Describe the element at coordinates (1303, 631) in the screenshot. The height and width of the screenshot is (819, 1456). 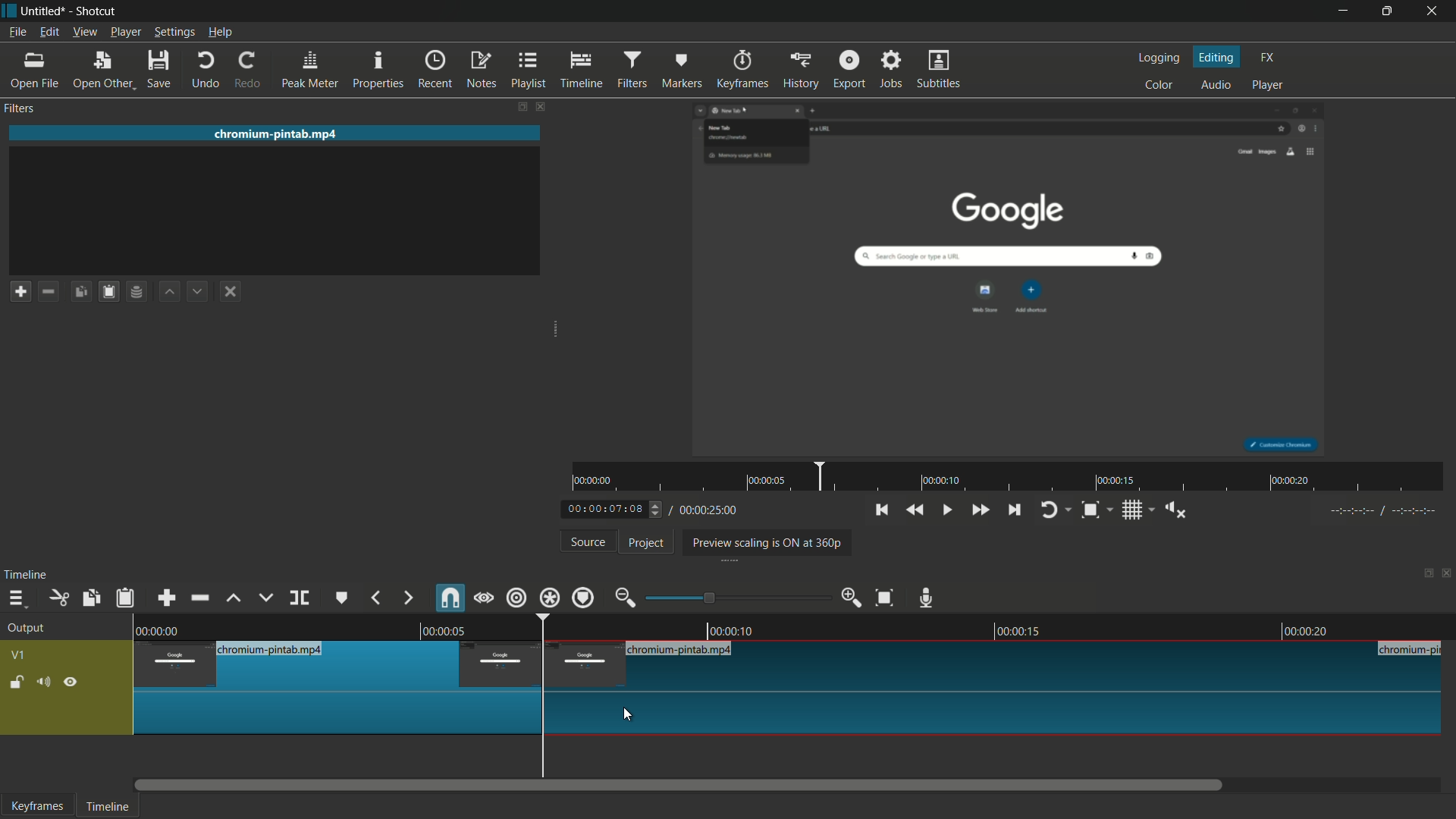
I see `0.00.20` at that location.